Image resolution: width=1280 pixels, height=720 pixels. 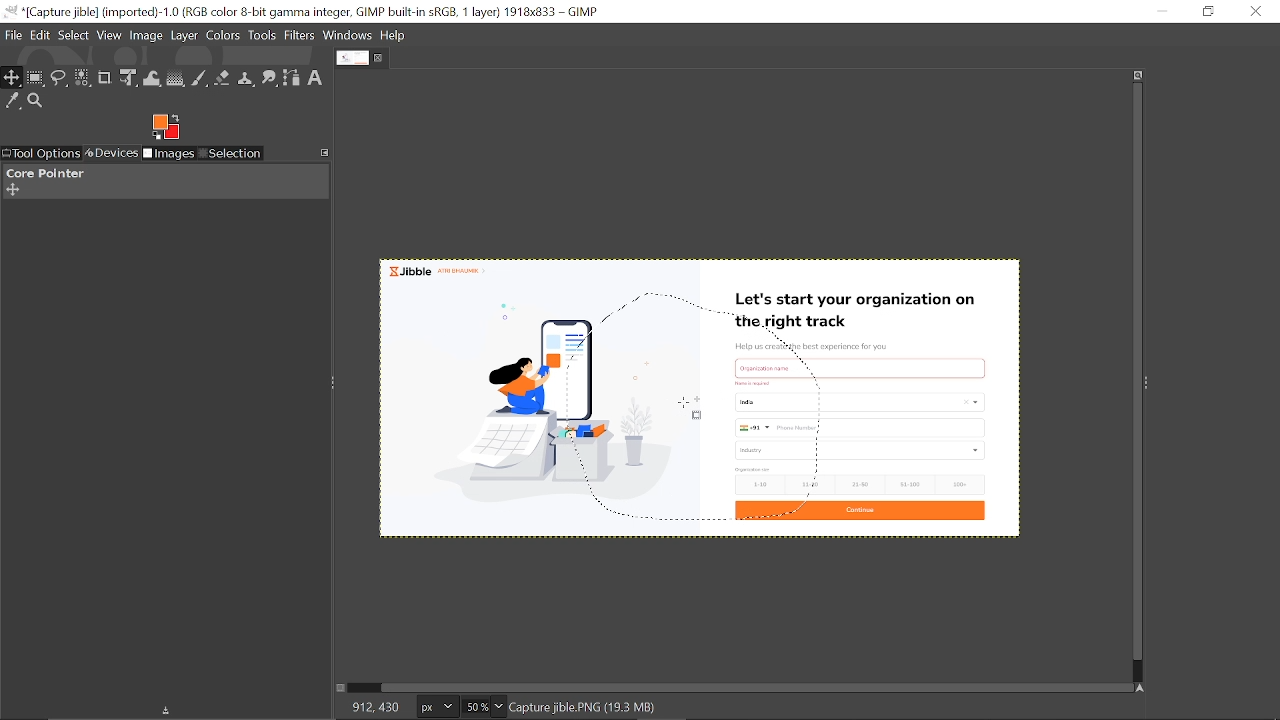 I want to click on Core painter, so click(x=43, y=173).